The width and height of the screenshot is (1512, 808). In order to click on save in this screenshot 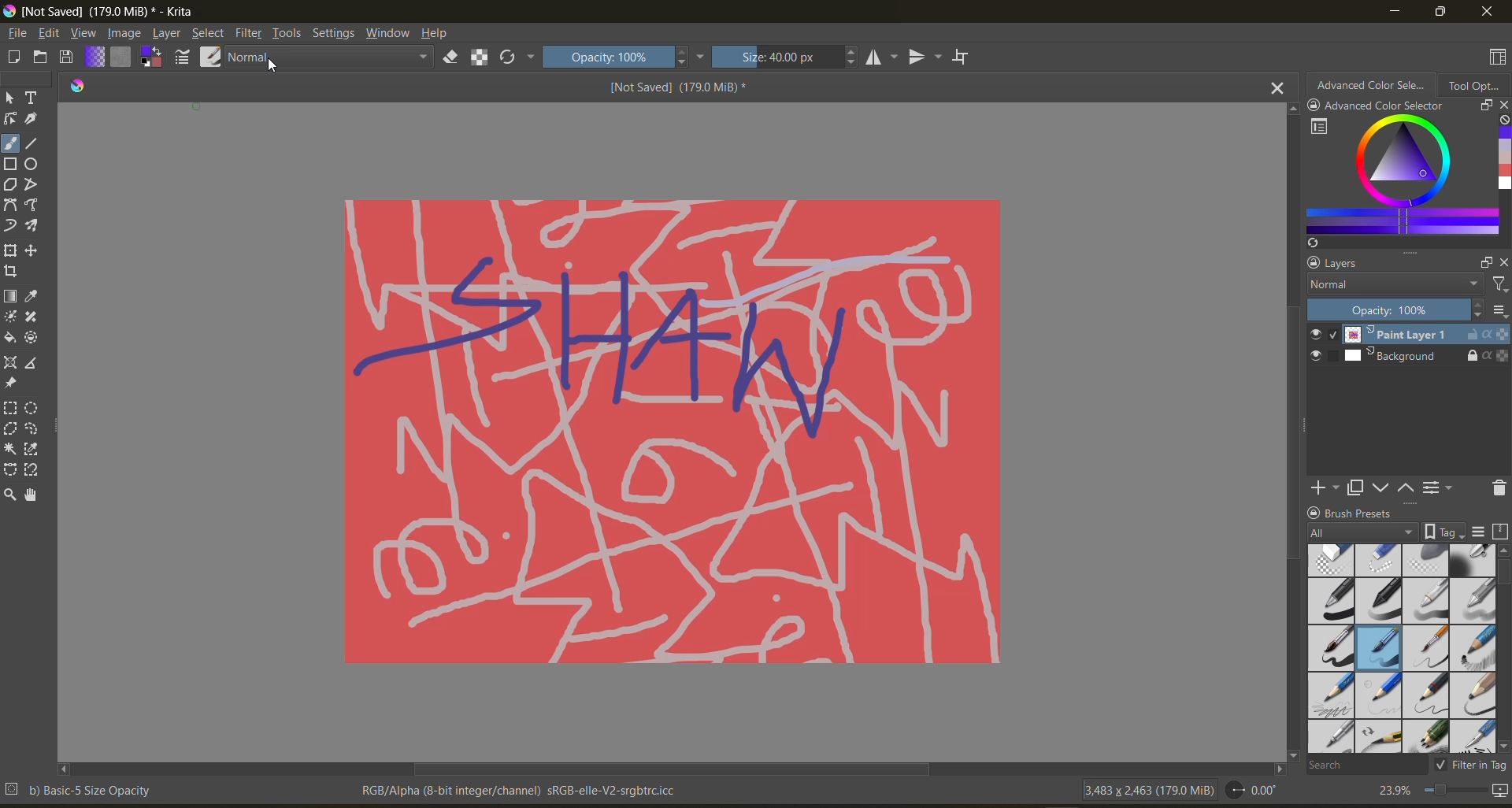, I will do `click(66, 57)`.